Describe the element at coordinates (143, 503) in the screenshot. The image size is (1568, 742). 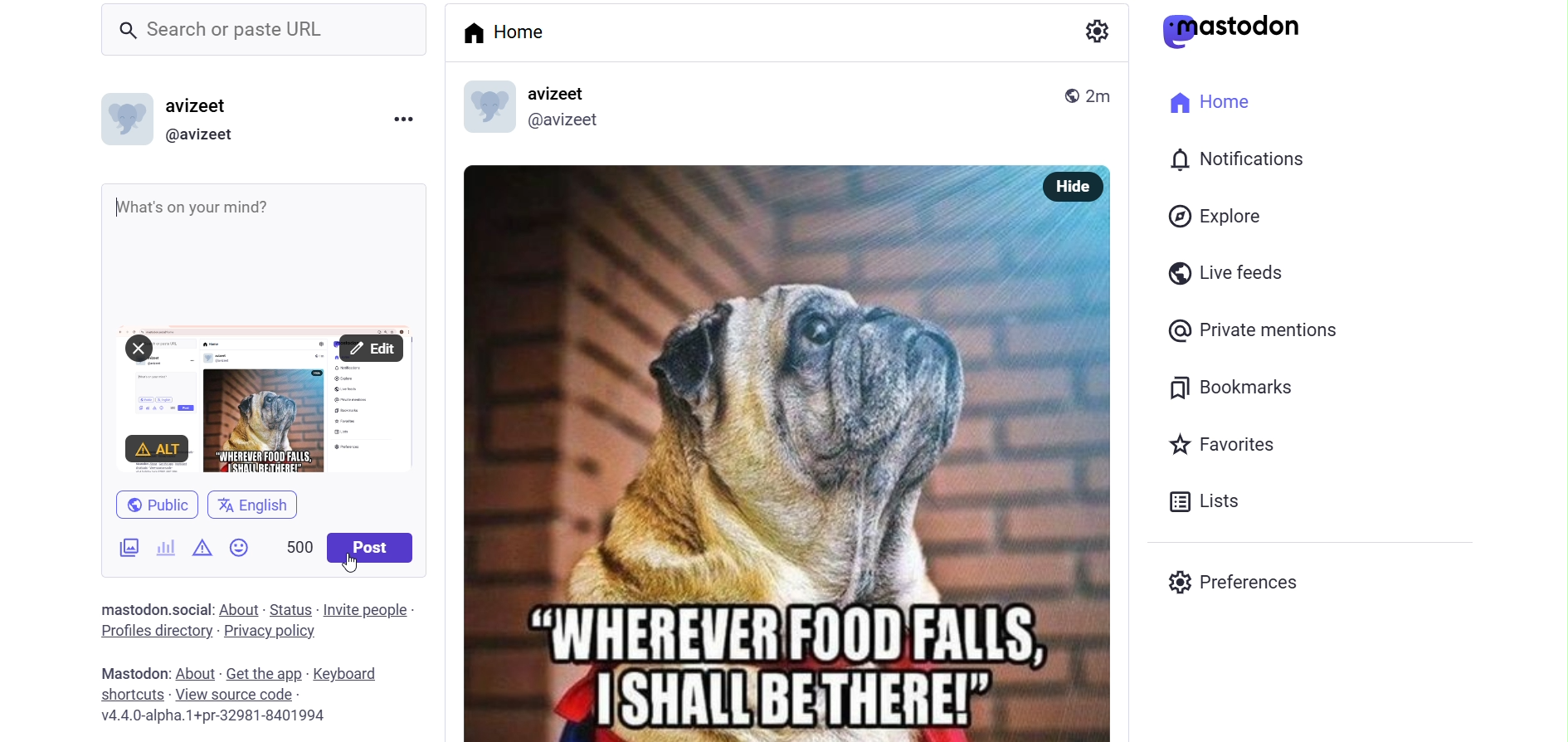
I see `public` at that location.